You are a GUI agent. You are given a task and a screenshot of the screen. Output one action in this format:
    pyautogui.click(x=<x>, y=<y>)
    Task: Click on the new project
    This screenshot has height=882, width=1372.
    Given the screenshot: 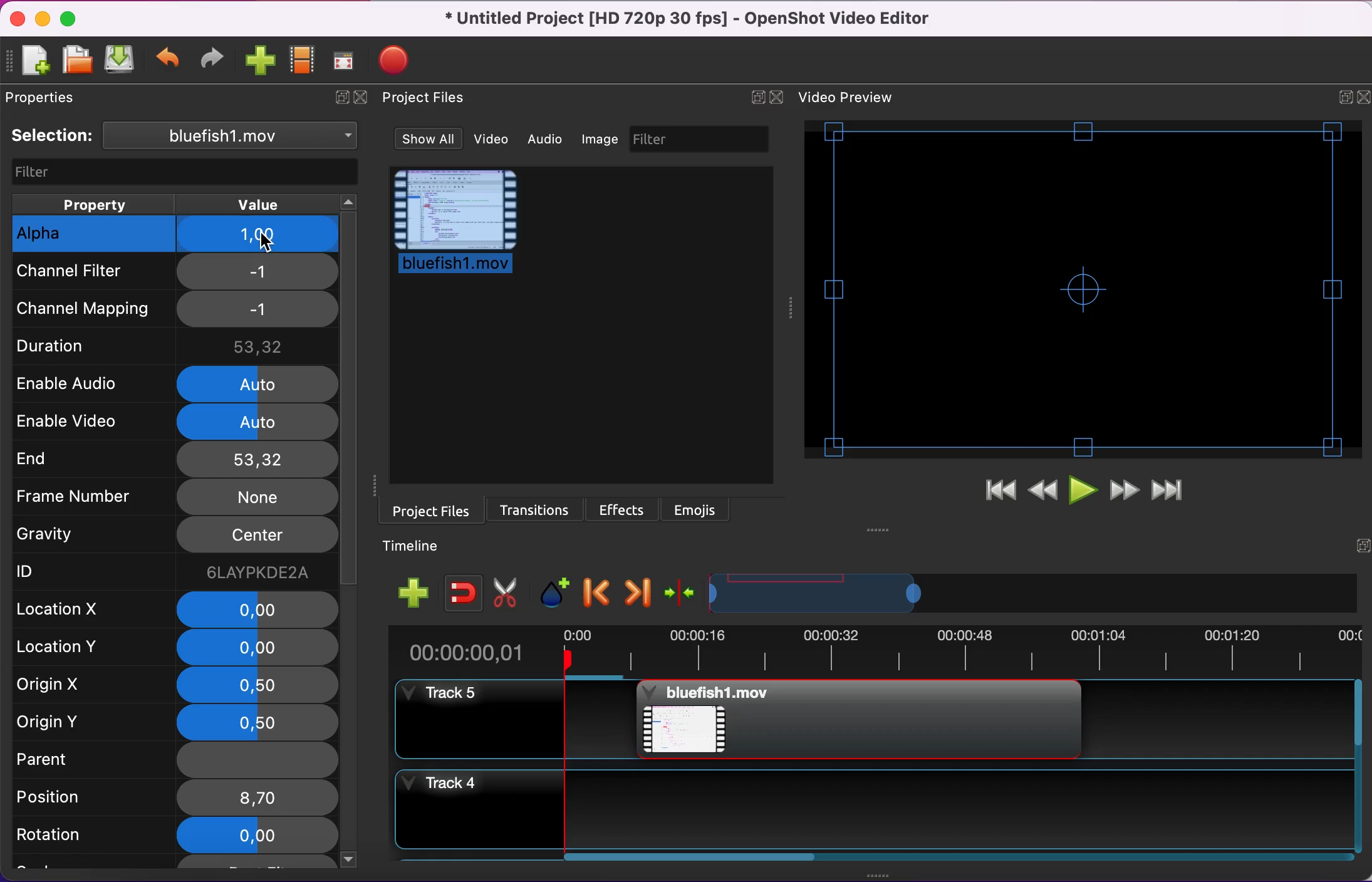 What is the action you would take?
    pyautogui.click(x=33, y=64)
    